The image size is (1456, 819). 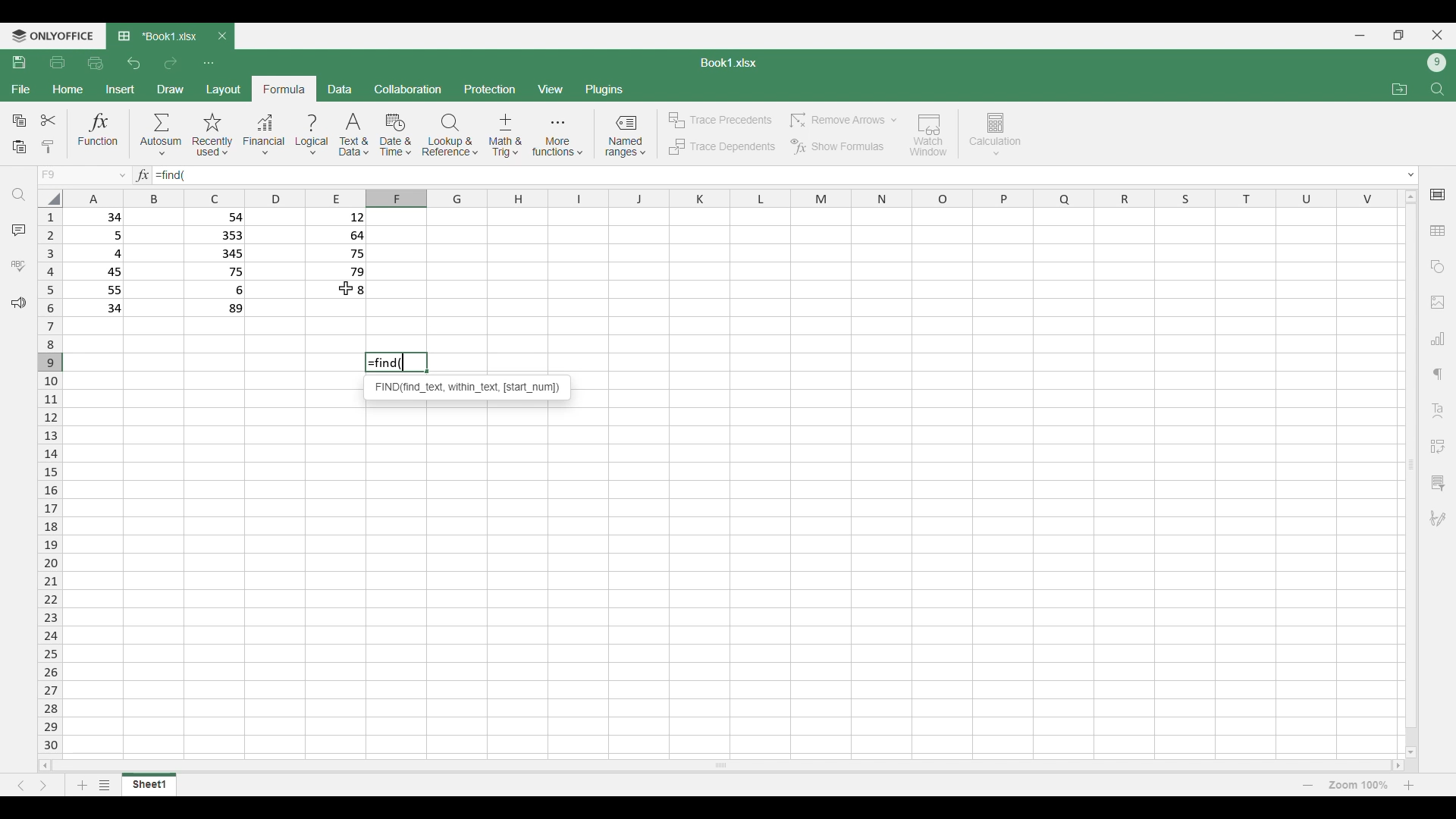 I want to click on Close interface, so click(x=1438, y=35).